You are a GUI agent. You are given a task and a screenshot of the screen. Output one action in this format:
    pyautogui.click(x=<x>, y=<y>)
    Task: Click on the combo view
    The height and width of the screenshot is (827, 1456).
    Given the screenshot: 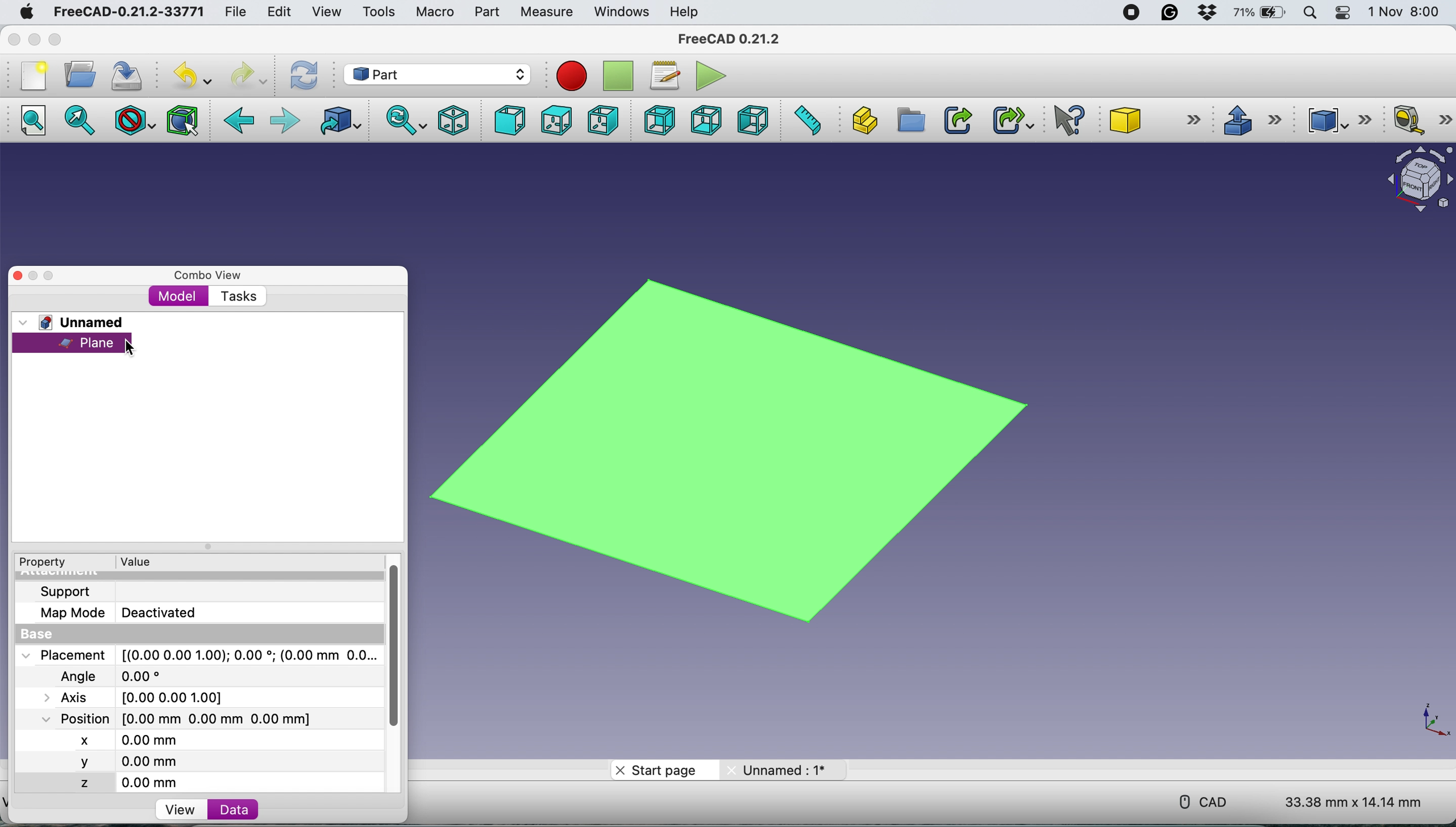 What is the action you would take?
    pyautogui.click(x=213, y=276)
    